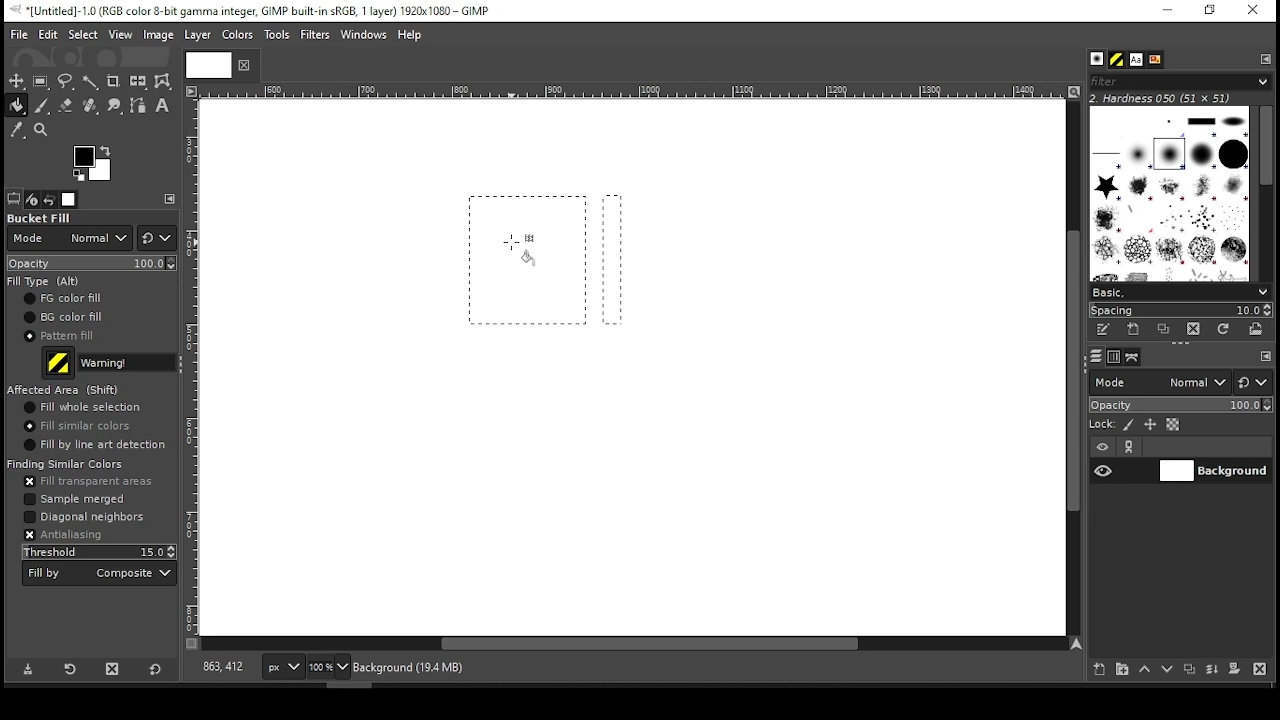  Describe the element at coordinates (1095, 357) in the screenshot. I see `layers` at that location.